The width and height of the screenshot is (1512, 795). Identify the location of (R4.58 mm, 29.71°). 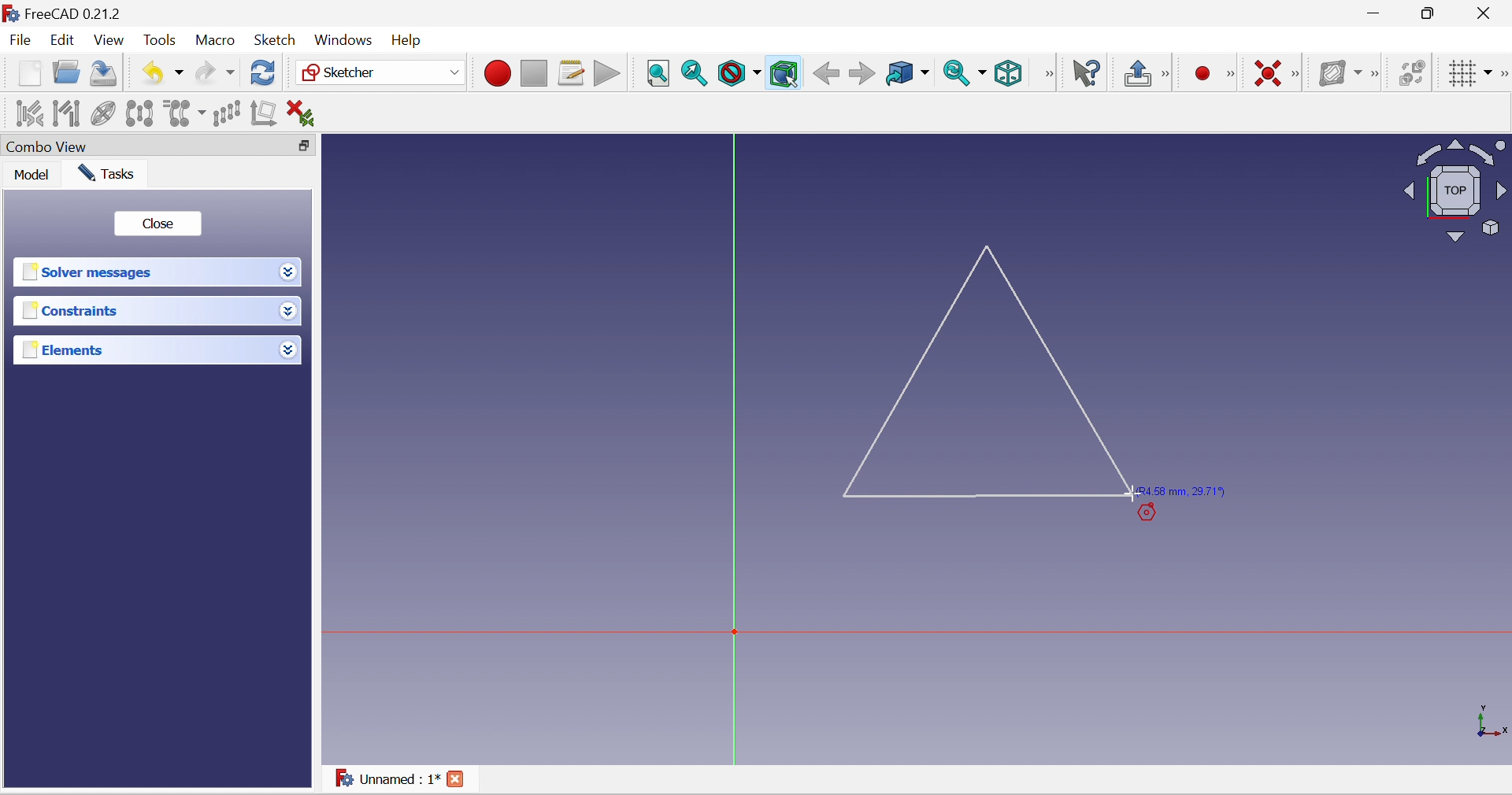
(1177, 491).